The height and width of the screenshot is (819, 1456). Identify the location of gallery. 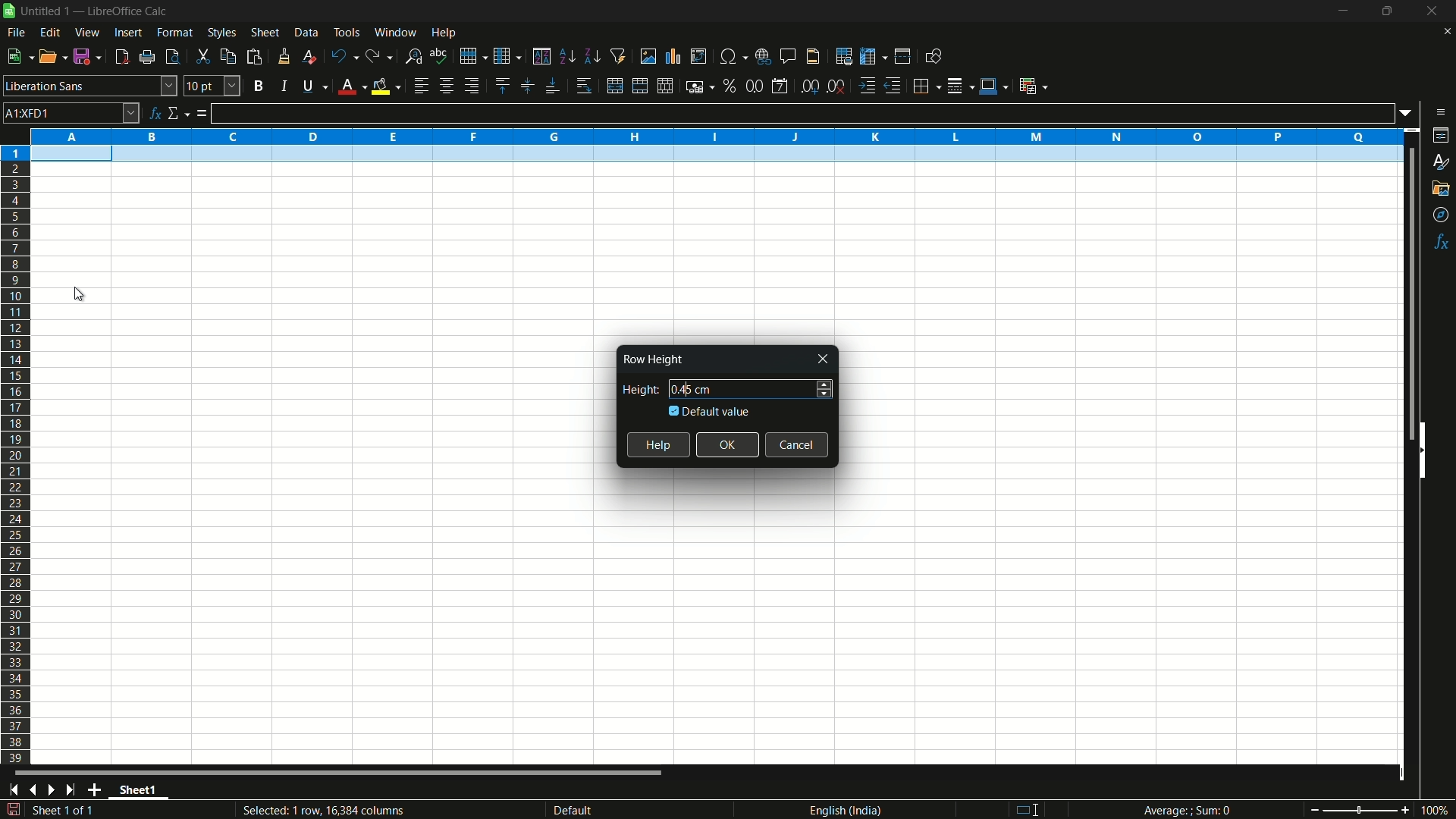
(1442, 188).